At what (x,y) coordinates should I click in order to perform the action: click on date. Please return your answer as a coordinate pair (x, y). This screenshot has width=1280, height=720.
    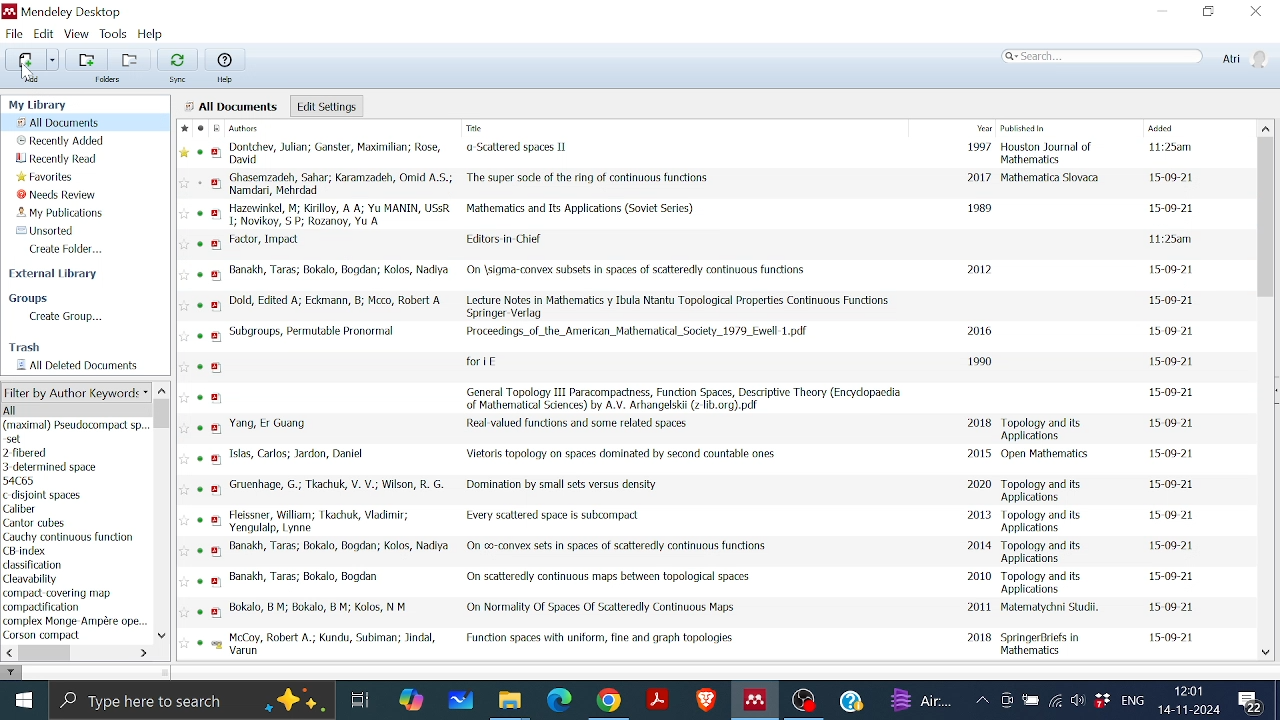
    Looking at the image, I should click on (1170, 485).